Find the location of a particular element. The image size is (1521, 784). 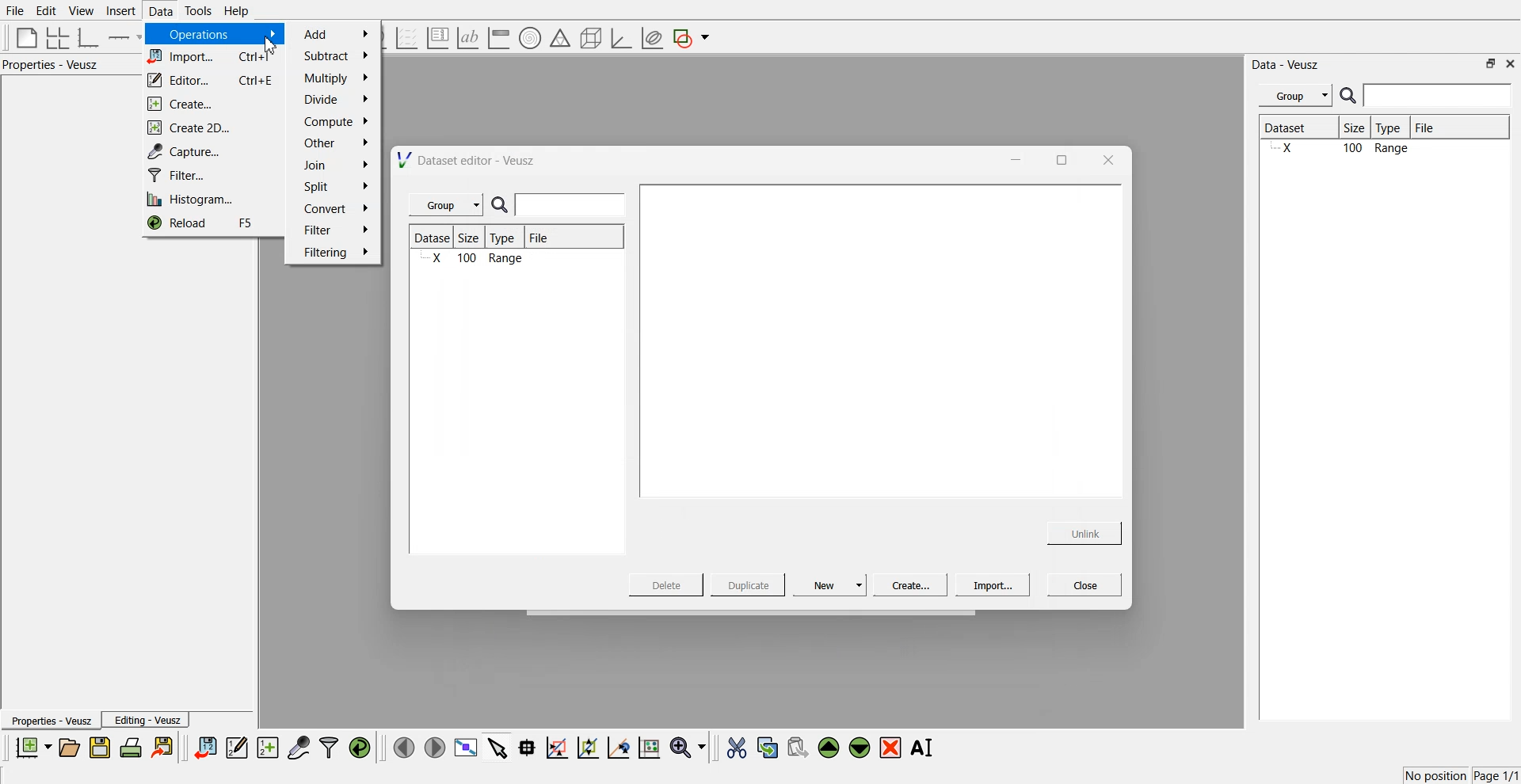

Convert is located at coordinates (334, 208).